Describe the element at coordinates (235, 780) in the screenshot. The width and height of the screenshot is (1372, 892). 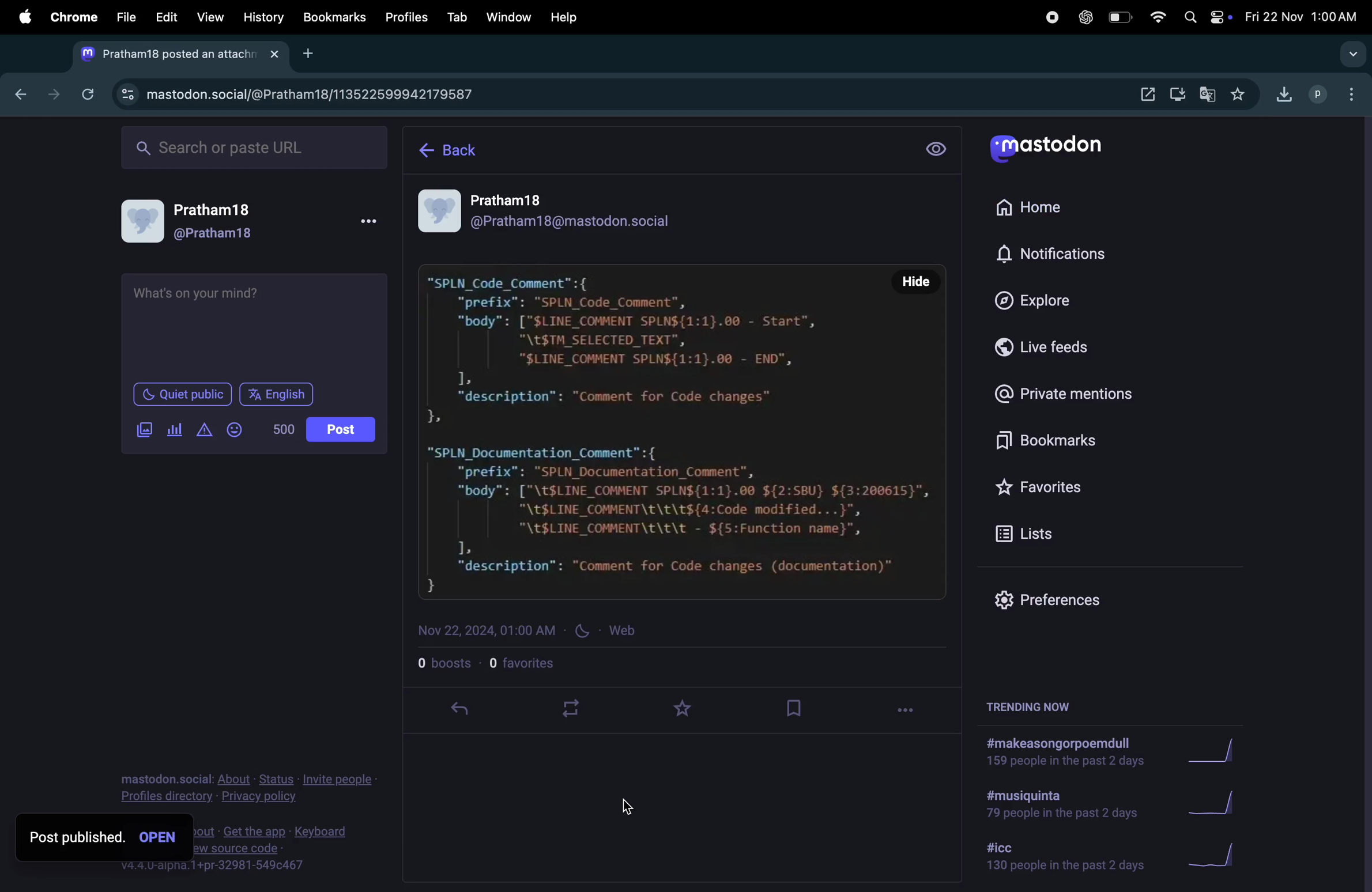
I see `about` at that location.